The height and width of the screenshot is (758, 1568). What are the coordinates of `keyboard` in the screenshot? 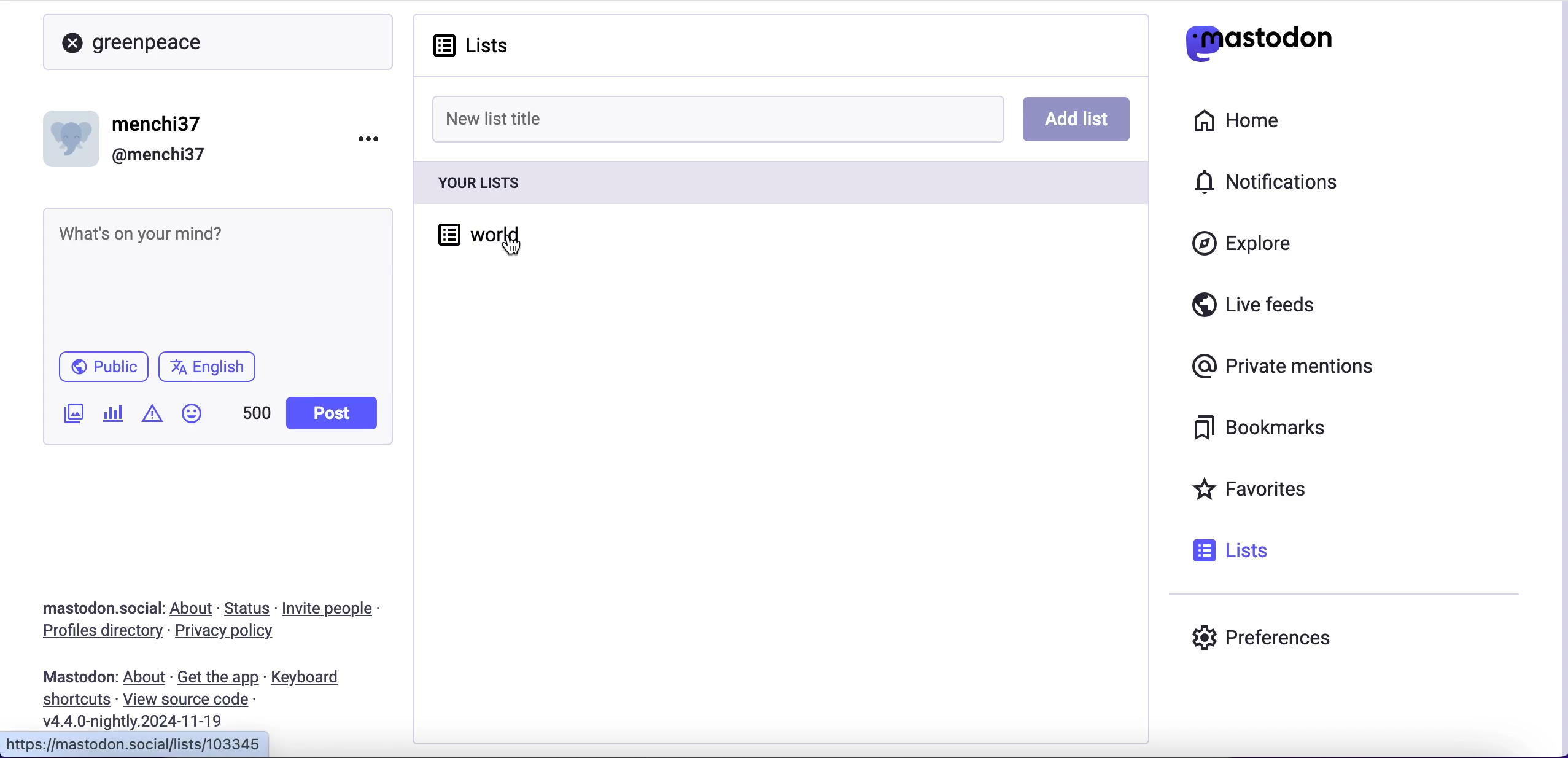 It's located at (309, 679).